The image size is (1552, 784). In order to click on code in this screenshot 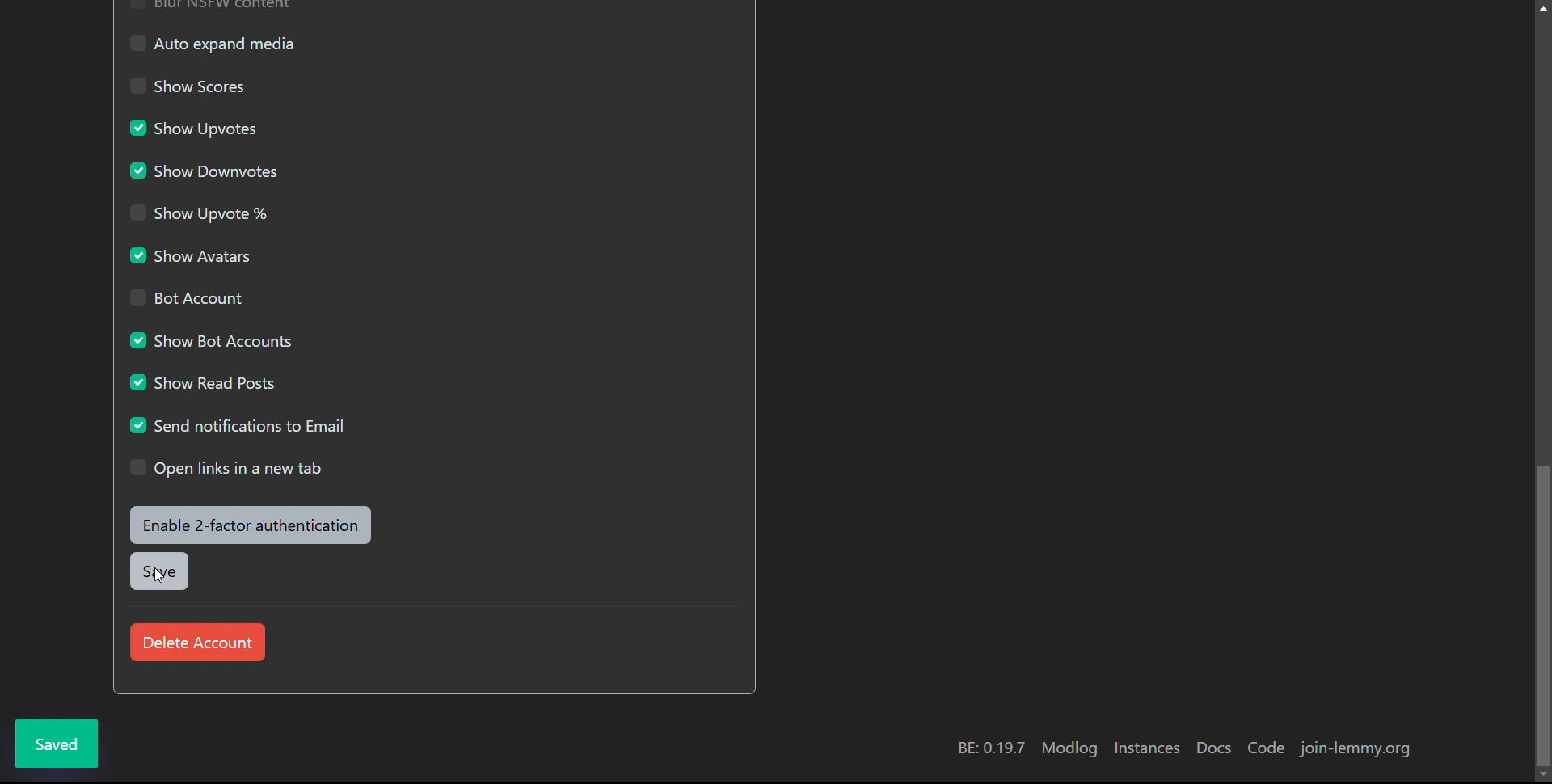, I will do `click(1266, 748)`.